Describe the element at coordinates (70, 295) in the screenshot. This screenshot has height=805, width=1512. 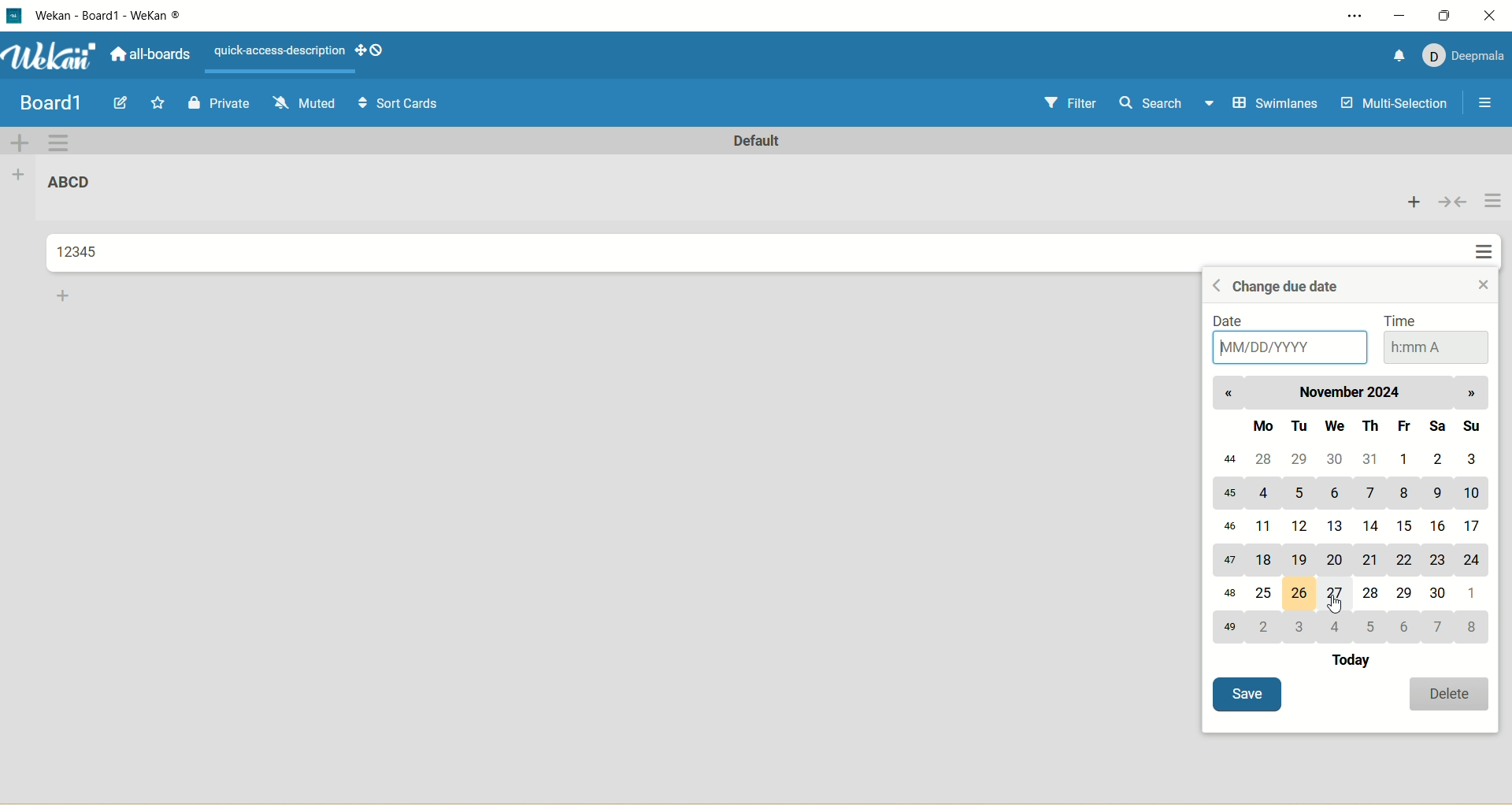
I see `add` at that location.